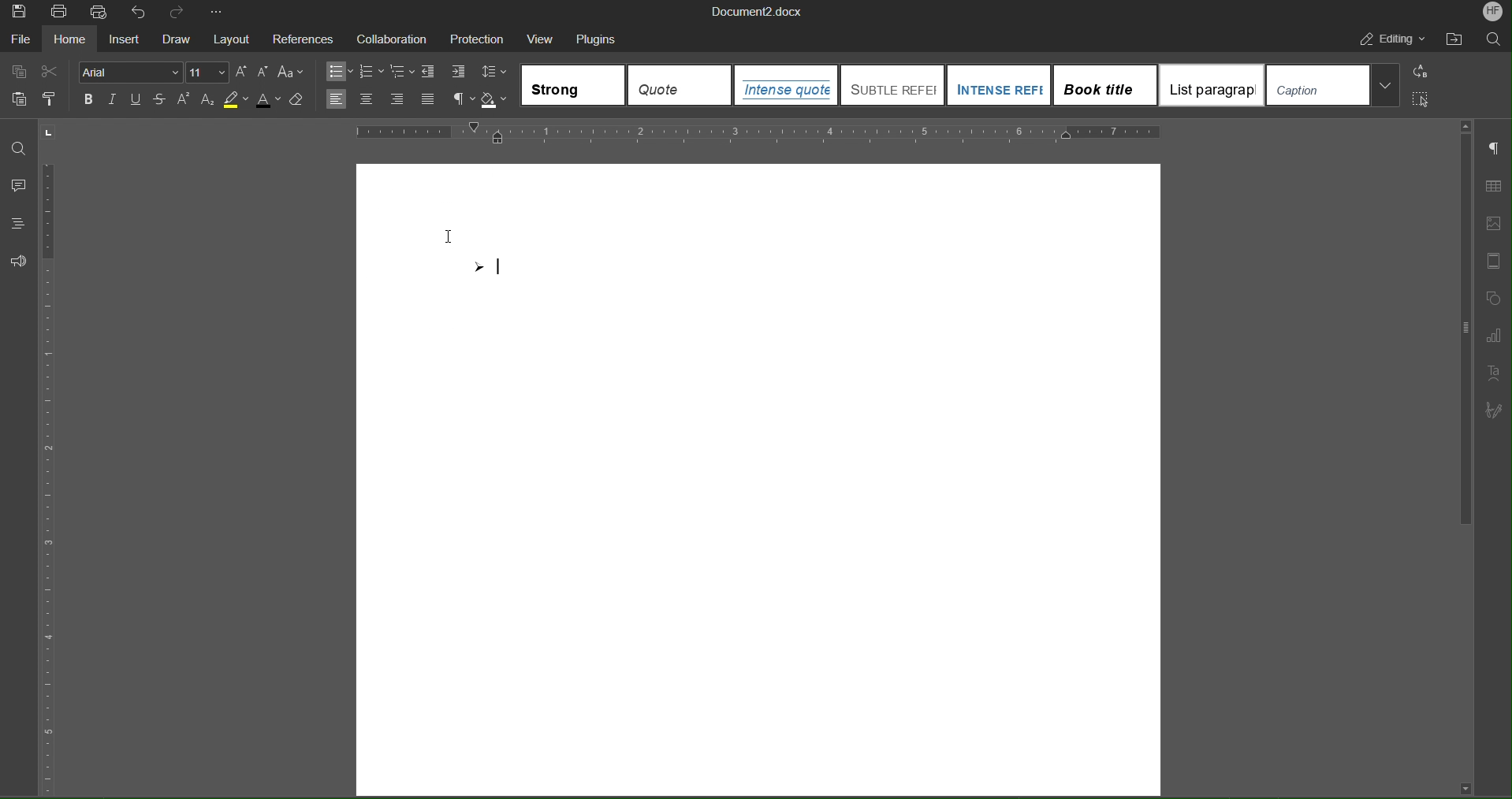 The height and width of the screenshot is (799, 1512). I want to click on Arrow Bullet, so click(486, 269).